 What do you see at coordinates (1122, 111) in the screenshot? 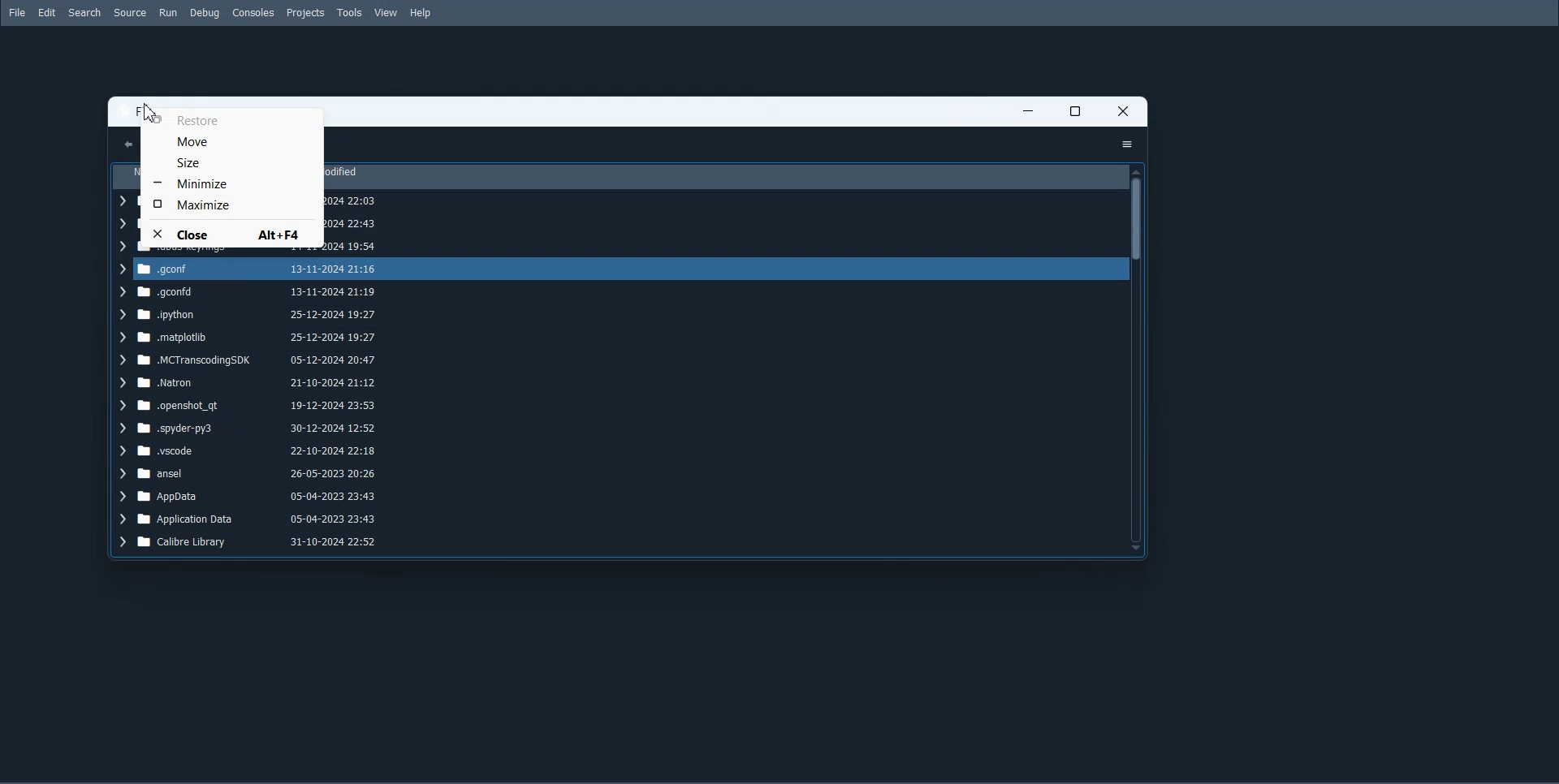
I see `Close` at bounding box center [1122, 111].